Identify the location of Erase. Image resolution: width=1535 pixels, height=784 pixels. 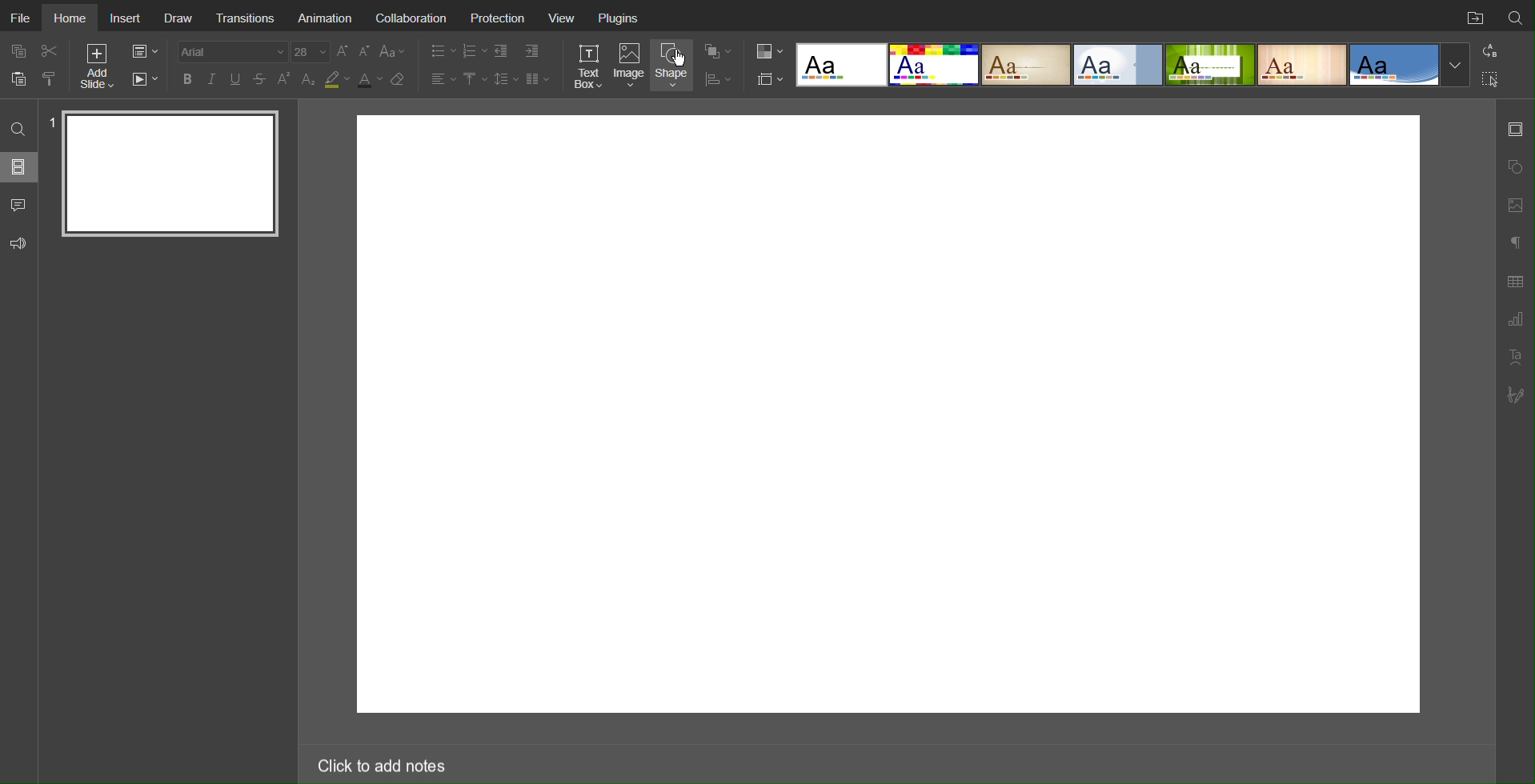
(401, 80).